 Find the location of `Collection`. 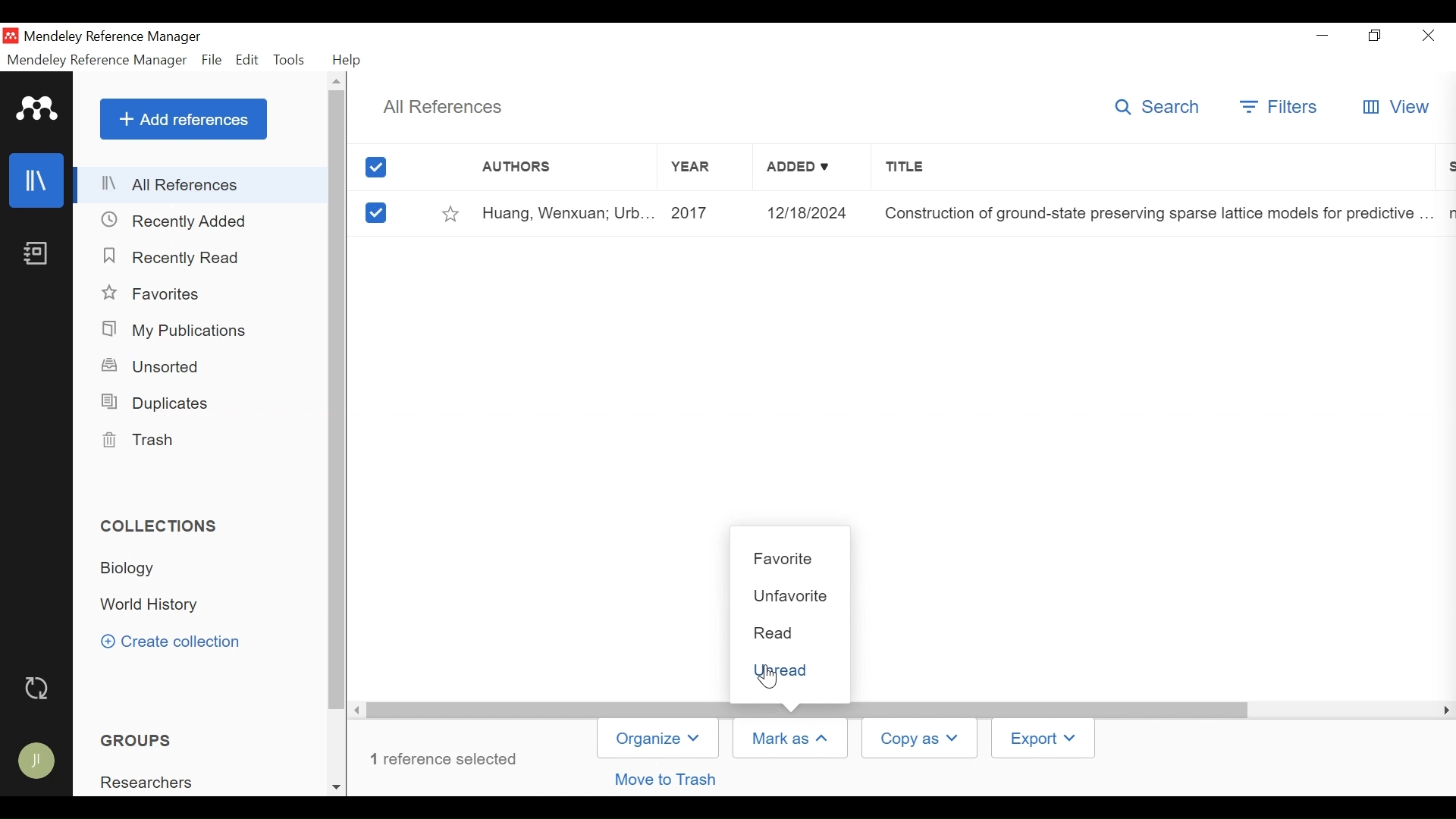

Collection is located at coordinates (131, 570).